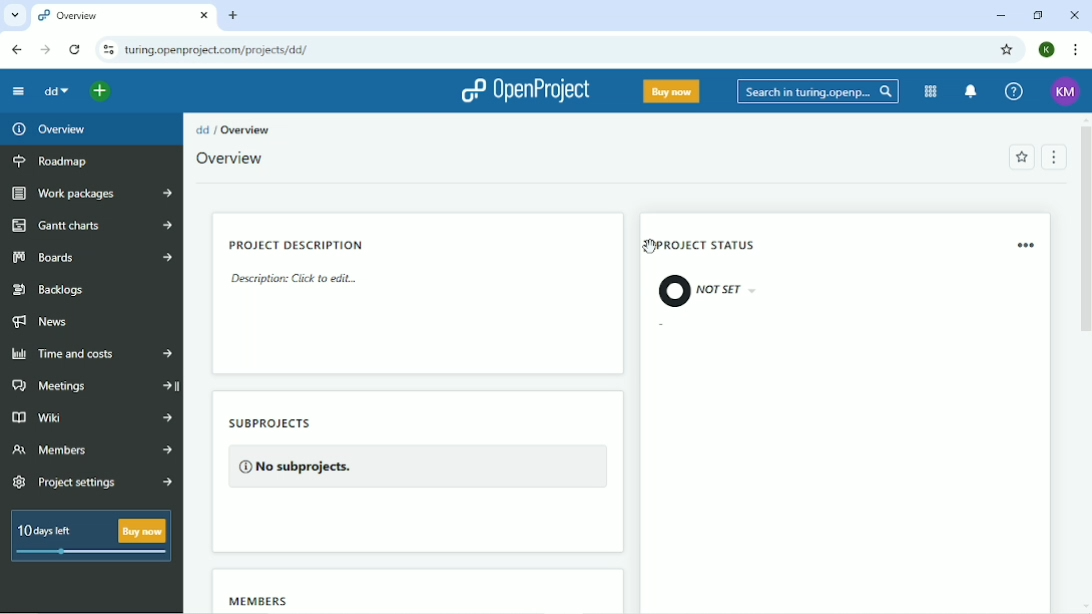 The width and height of the screenshot is (1092, 614). I want to click on Collapse project menu, so click(19, 92).